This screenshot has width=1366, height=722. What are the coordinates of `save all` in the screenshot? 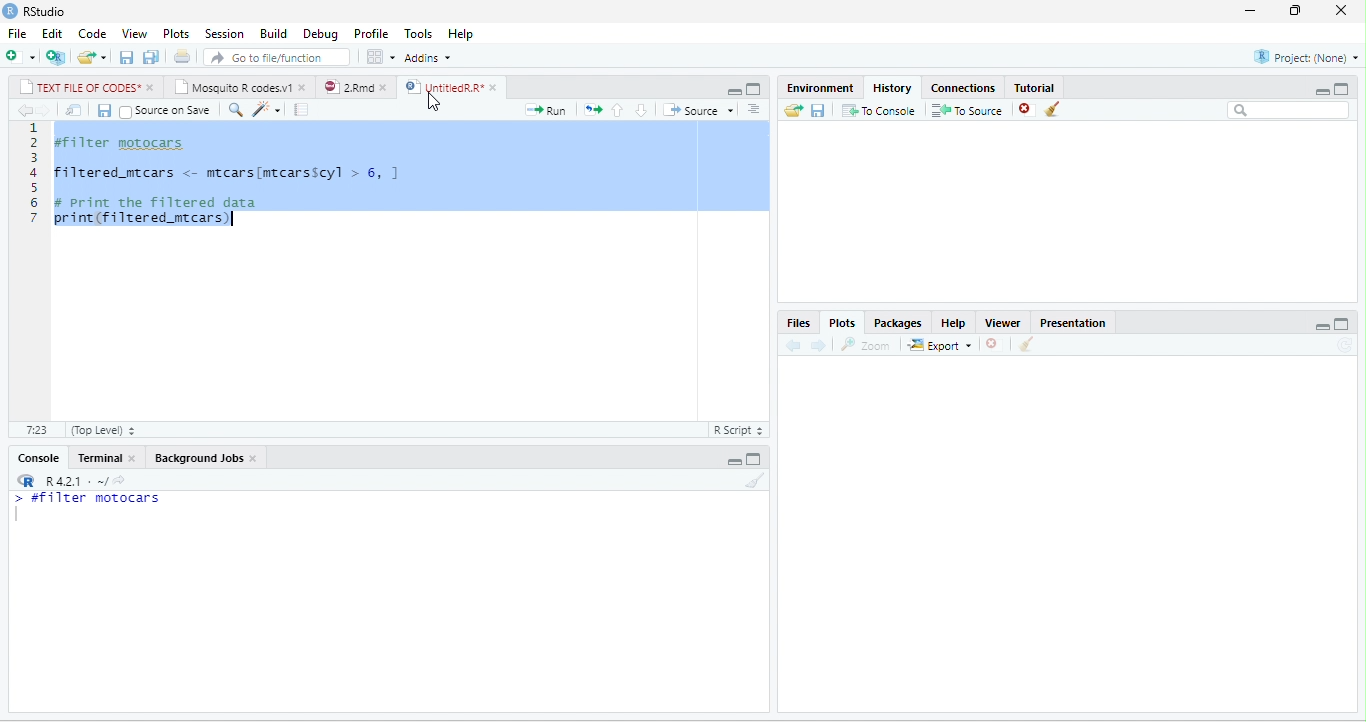 It's located at (150, 57).